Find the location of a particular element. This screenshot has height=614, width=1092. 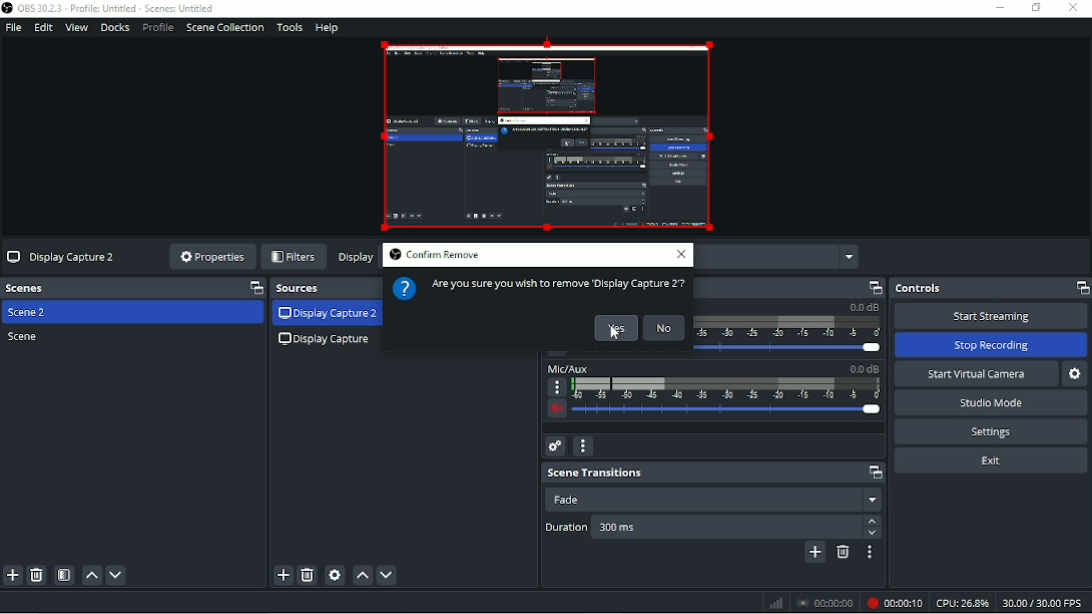

Close is located at coordinates (683, 255).